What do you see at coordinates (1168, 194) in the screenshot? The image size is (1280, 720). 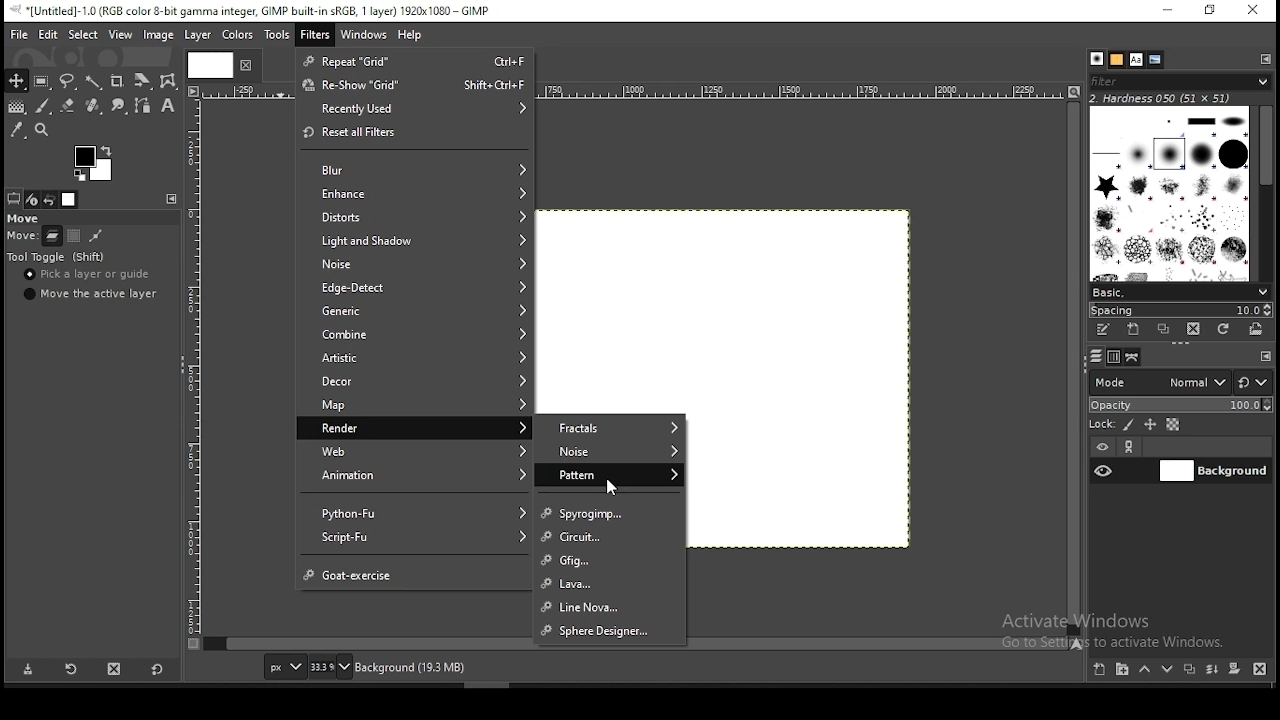 I see `brushes` at bounding box center [1168, 194].